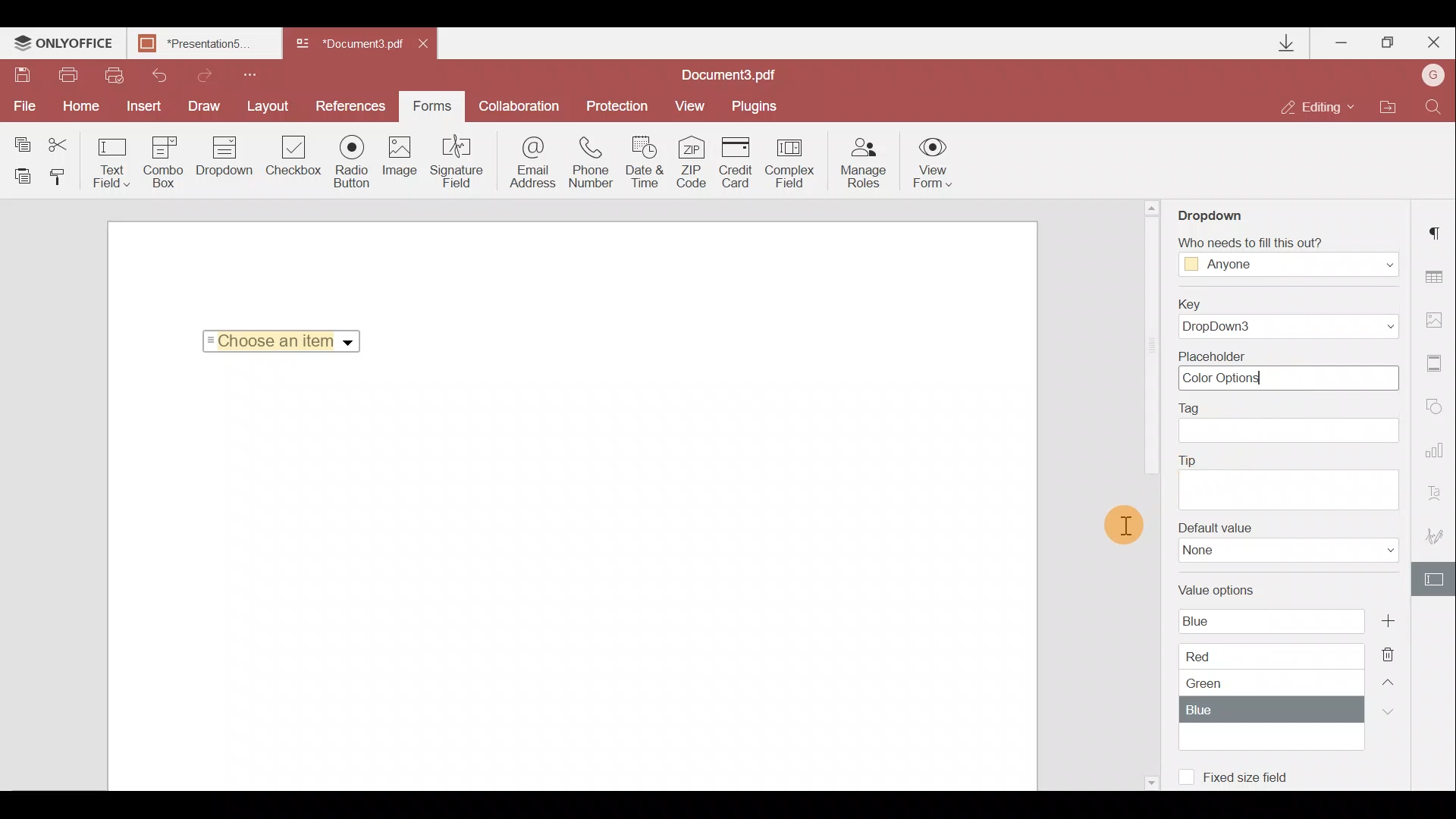 Image resolution: width=1456 pixels, height=819 pixels. I want to click on Remove, so click(1392, 650).